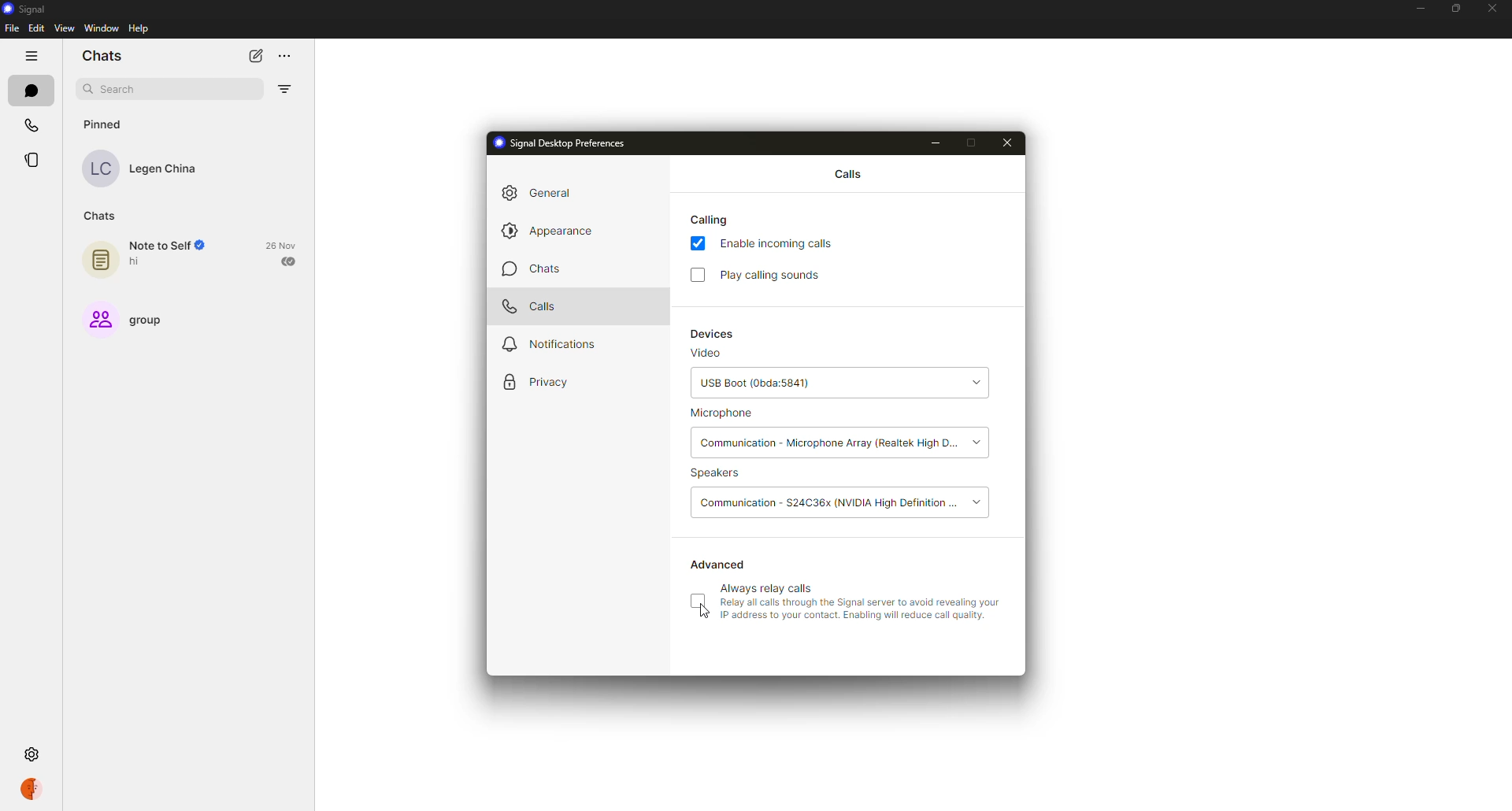 The image size is (1512, 811). What do you see at coordinates (847, 172) in the screenshot?
I see `calls` at bounding box center [847, 172].